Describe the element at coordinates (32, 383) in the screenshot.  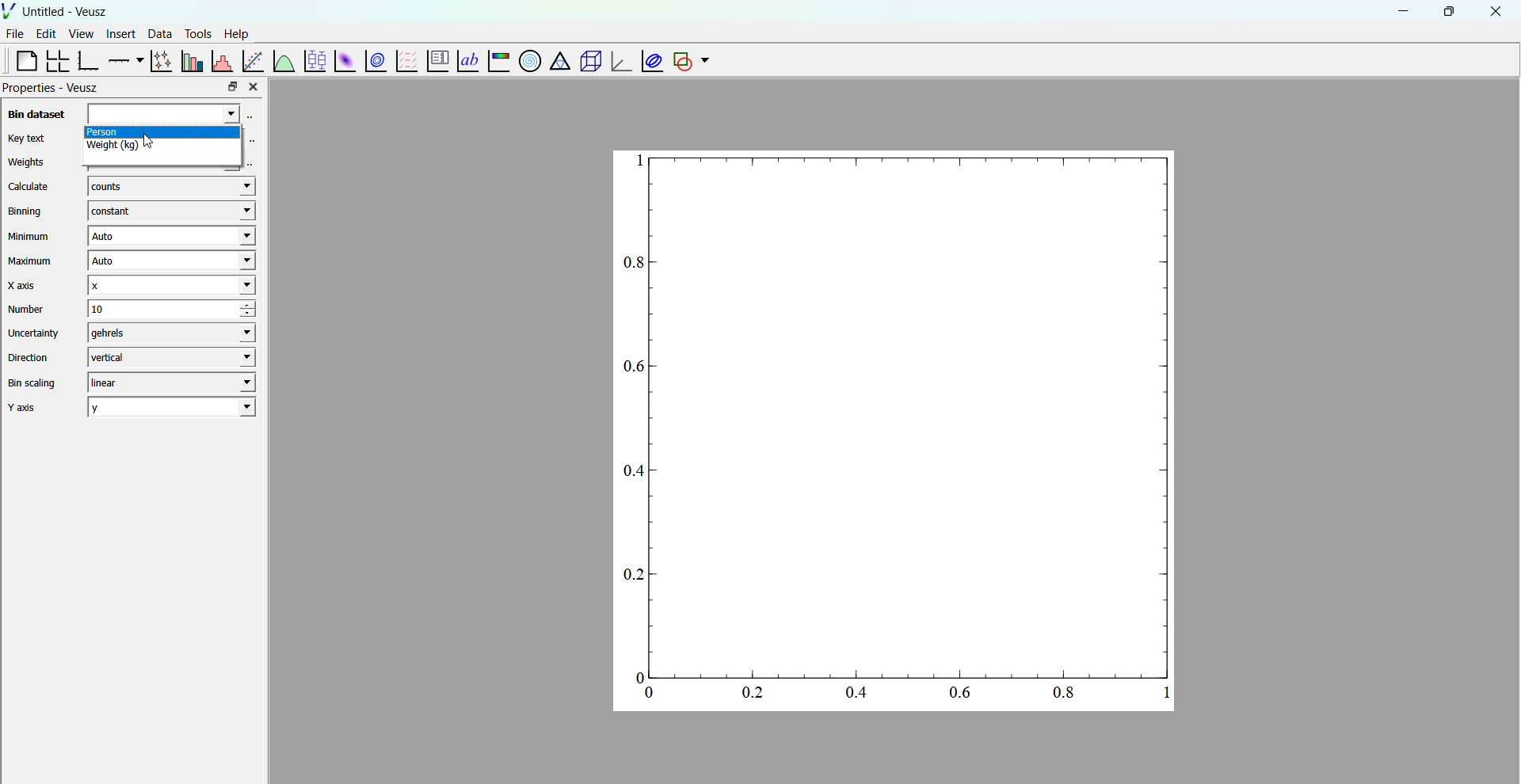
I see `Bin scaling` at that location.